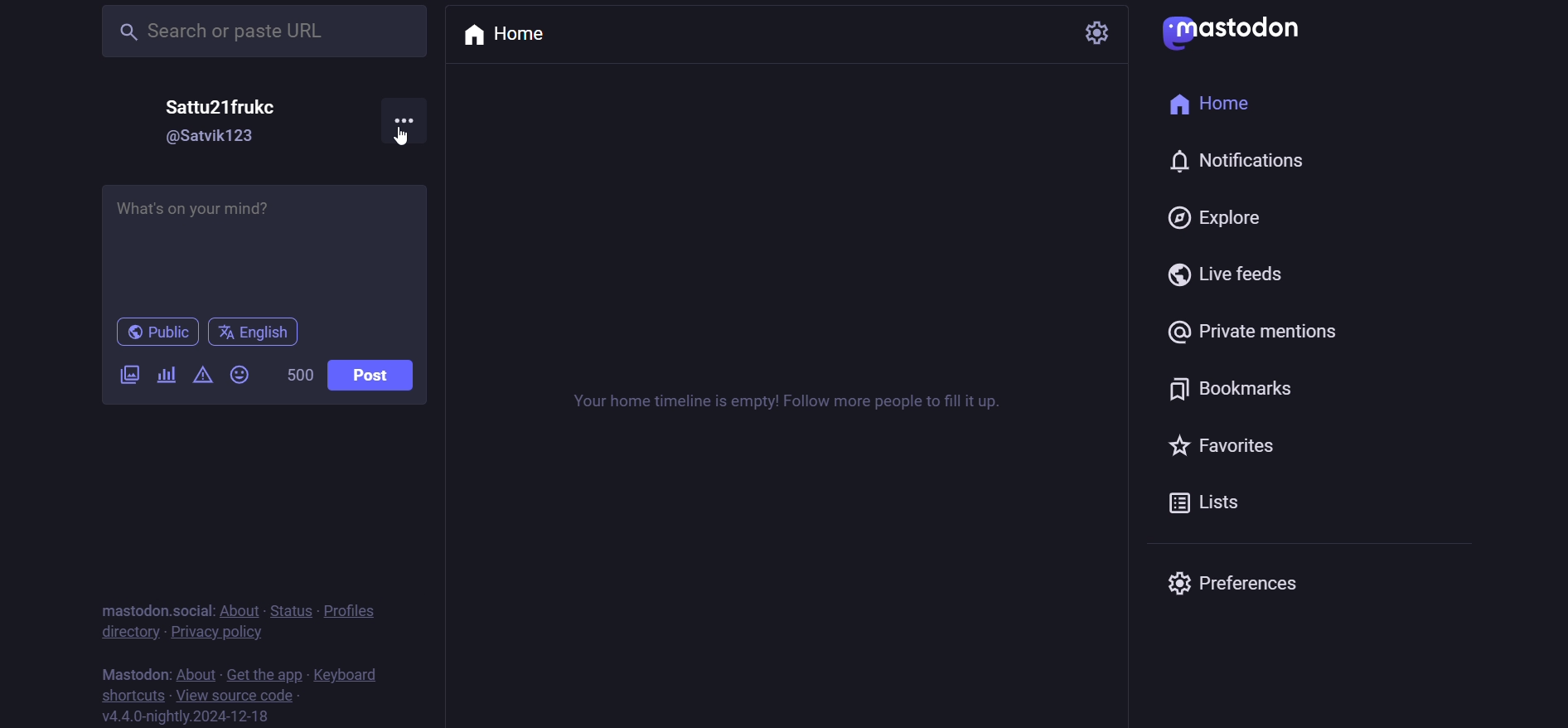 This screenshot has height=728, width=1568. What do you see at coordinates (1217, 216) in the screenshot?
I see `explore` at bounding box center [1217, 216].